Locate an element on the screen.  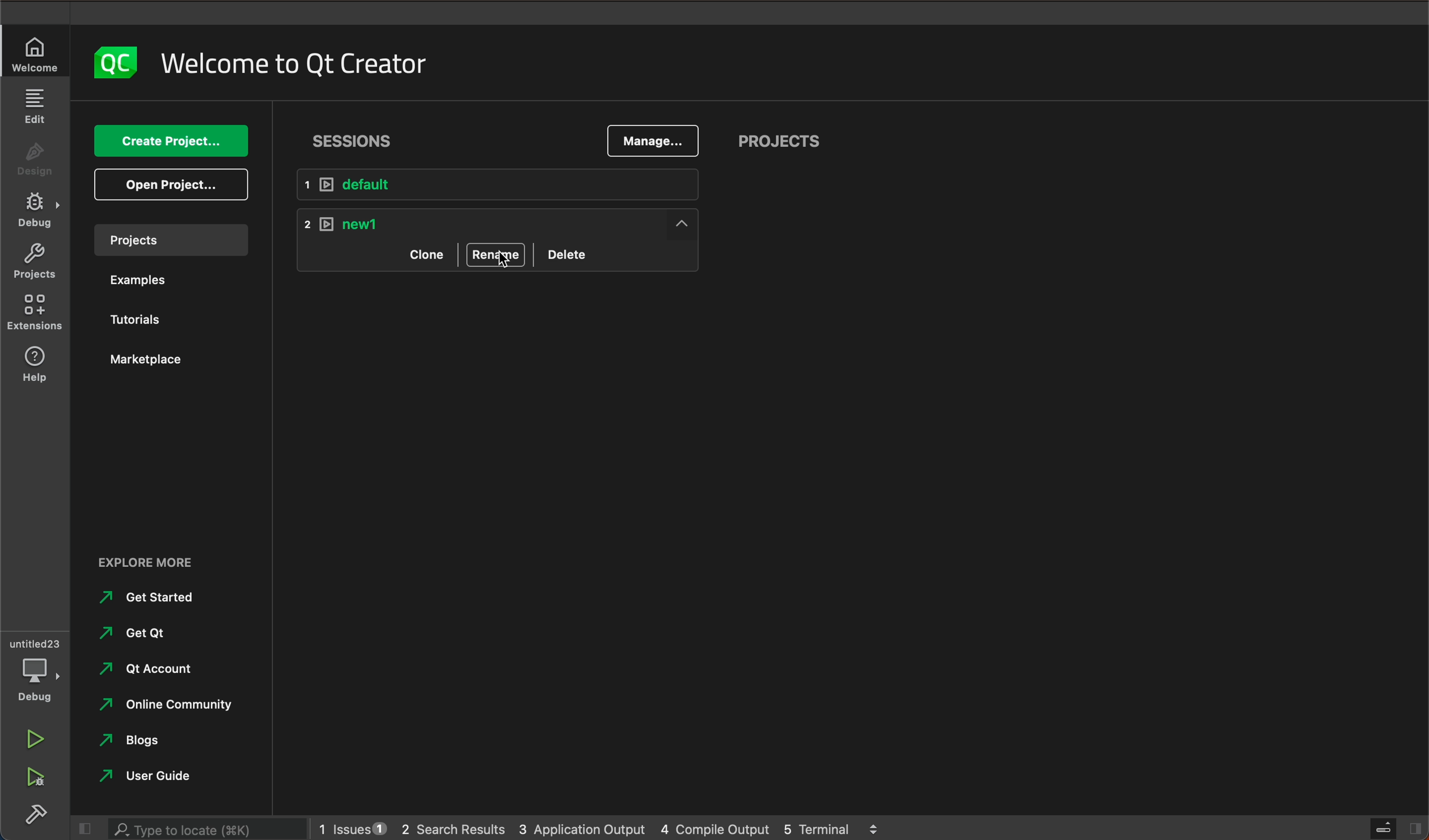
debug is located at coordinates (40, 672).